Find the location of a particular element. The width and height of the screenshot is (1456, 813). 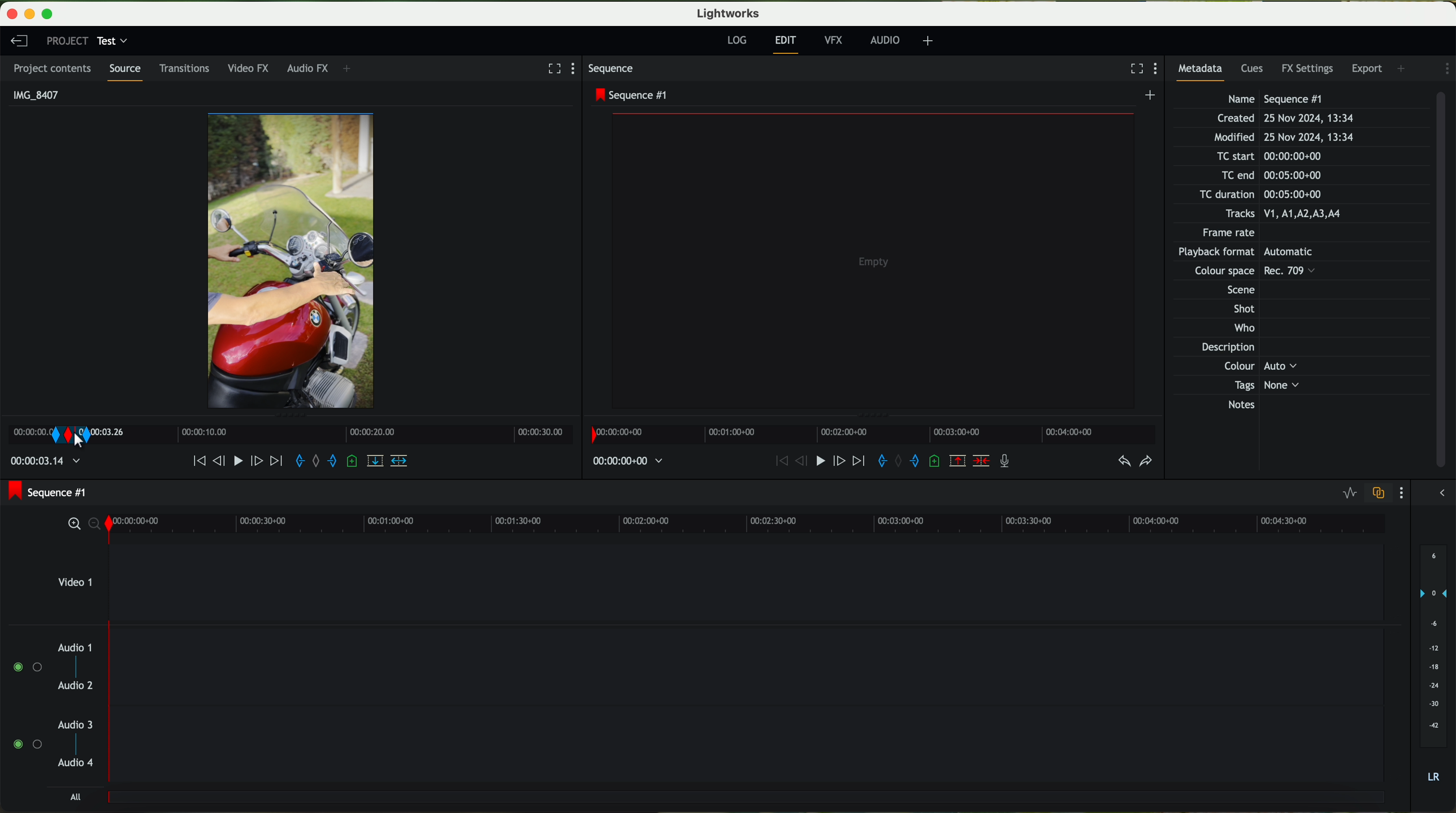

track is located at coordinates (749, 663).